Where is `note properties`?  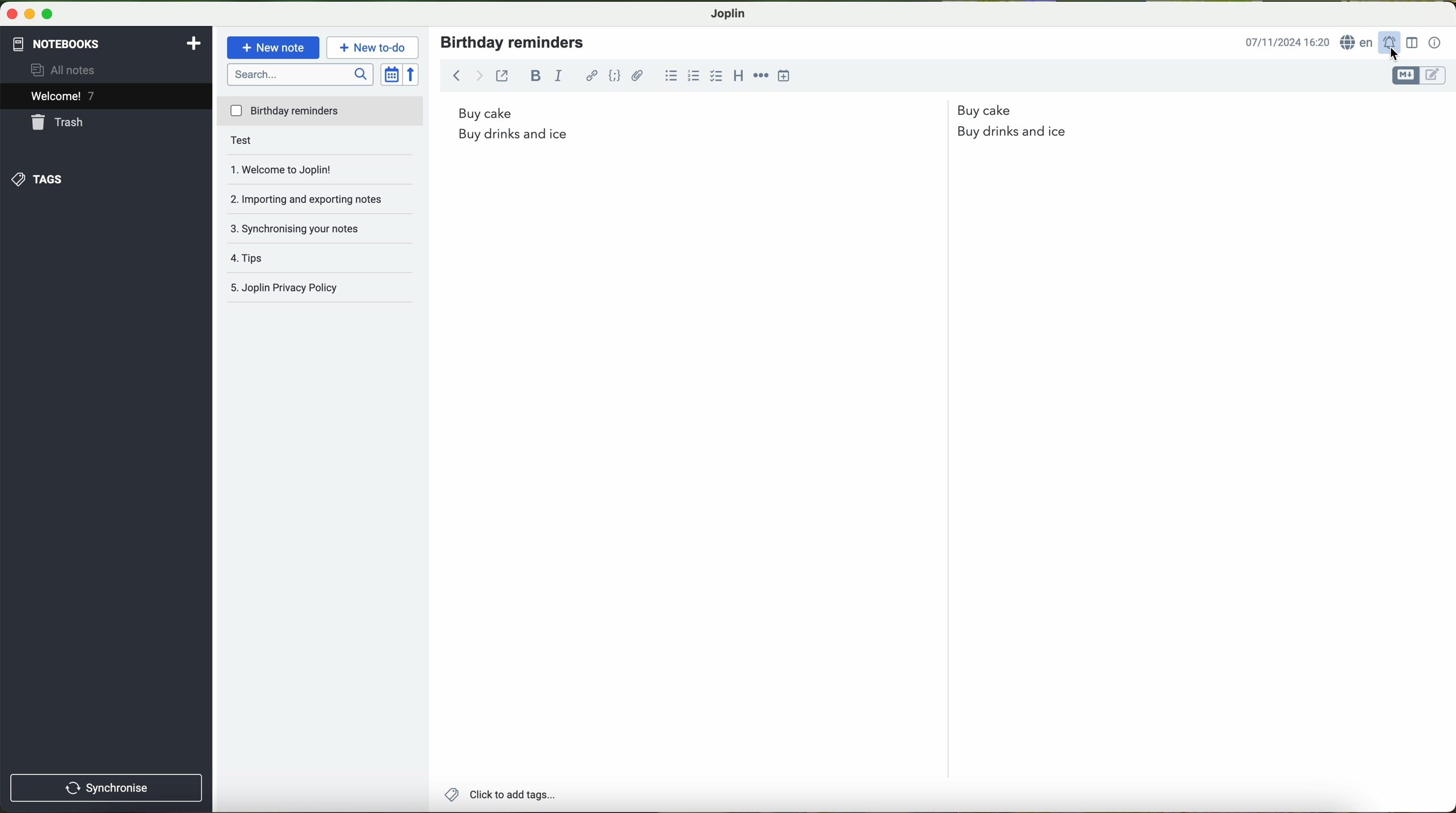
note properties is located at coordinates (1436, 43).